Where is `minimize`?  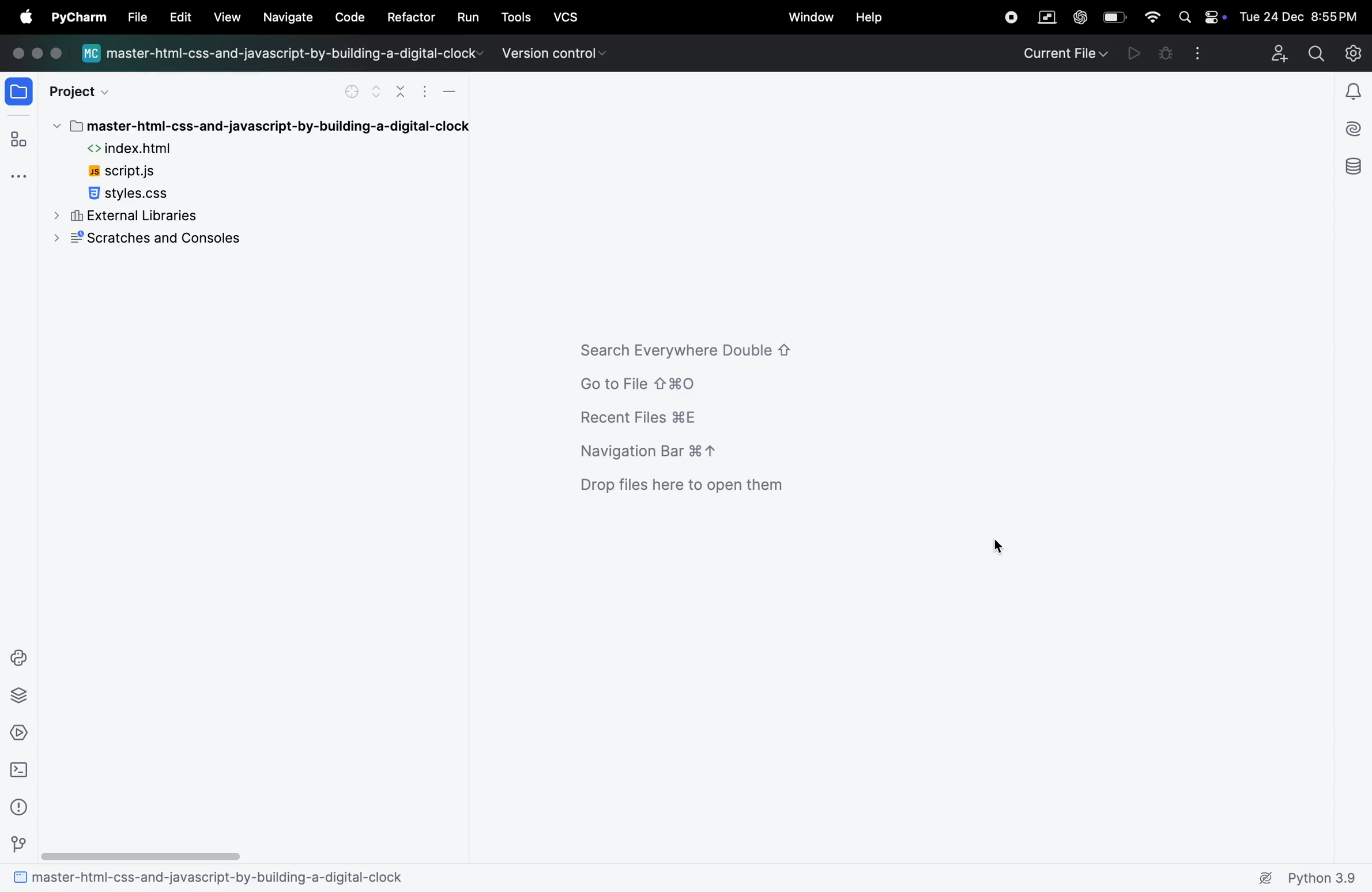
minimize is located at coordinates (457, 90).